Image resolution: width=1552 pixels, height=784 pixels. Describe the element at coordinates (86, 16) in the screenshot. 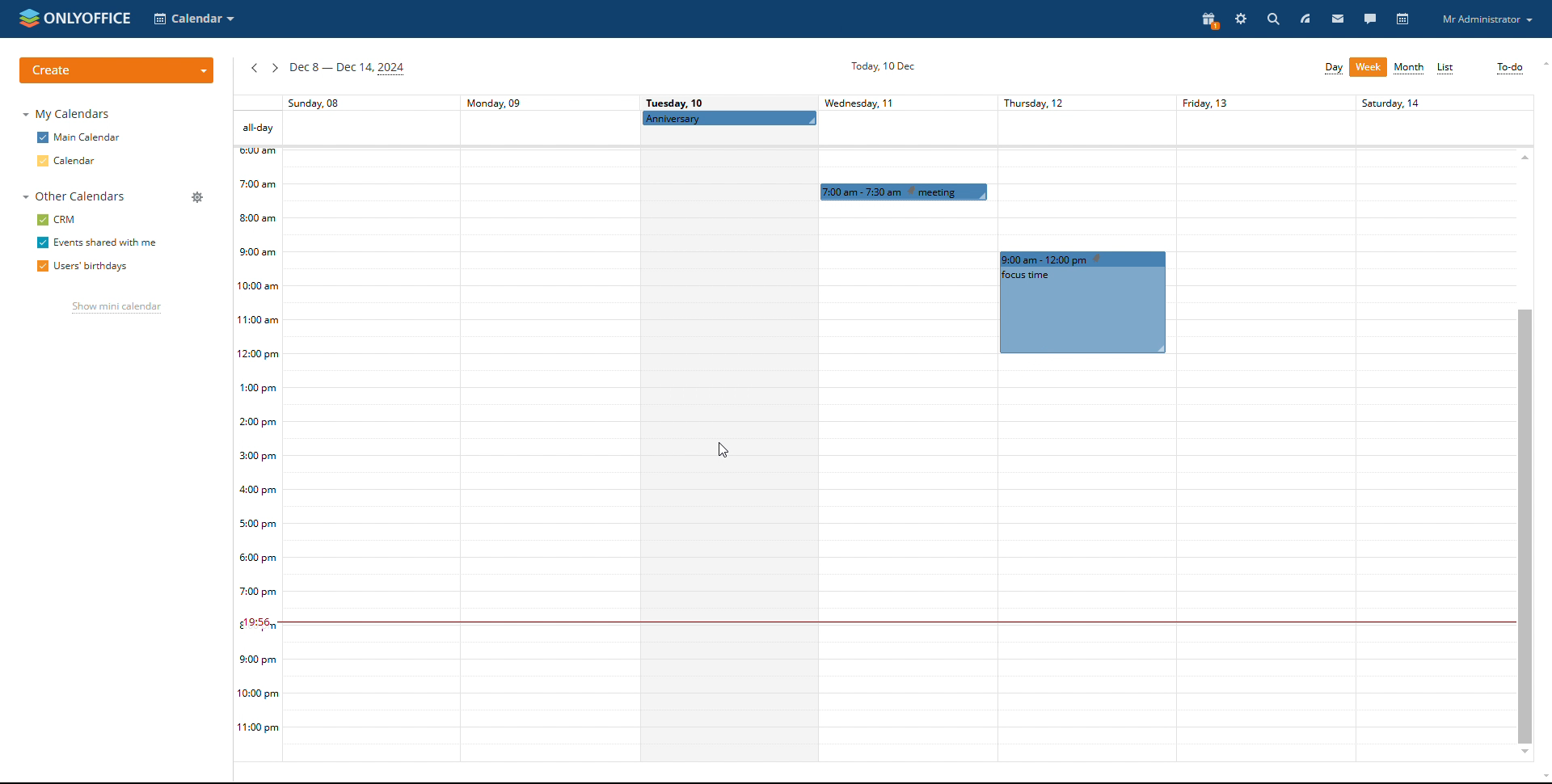

I see `onlyoffice` at that location.